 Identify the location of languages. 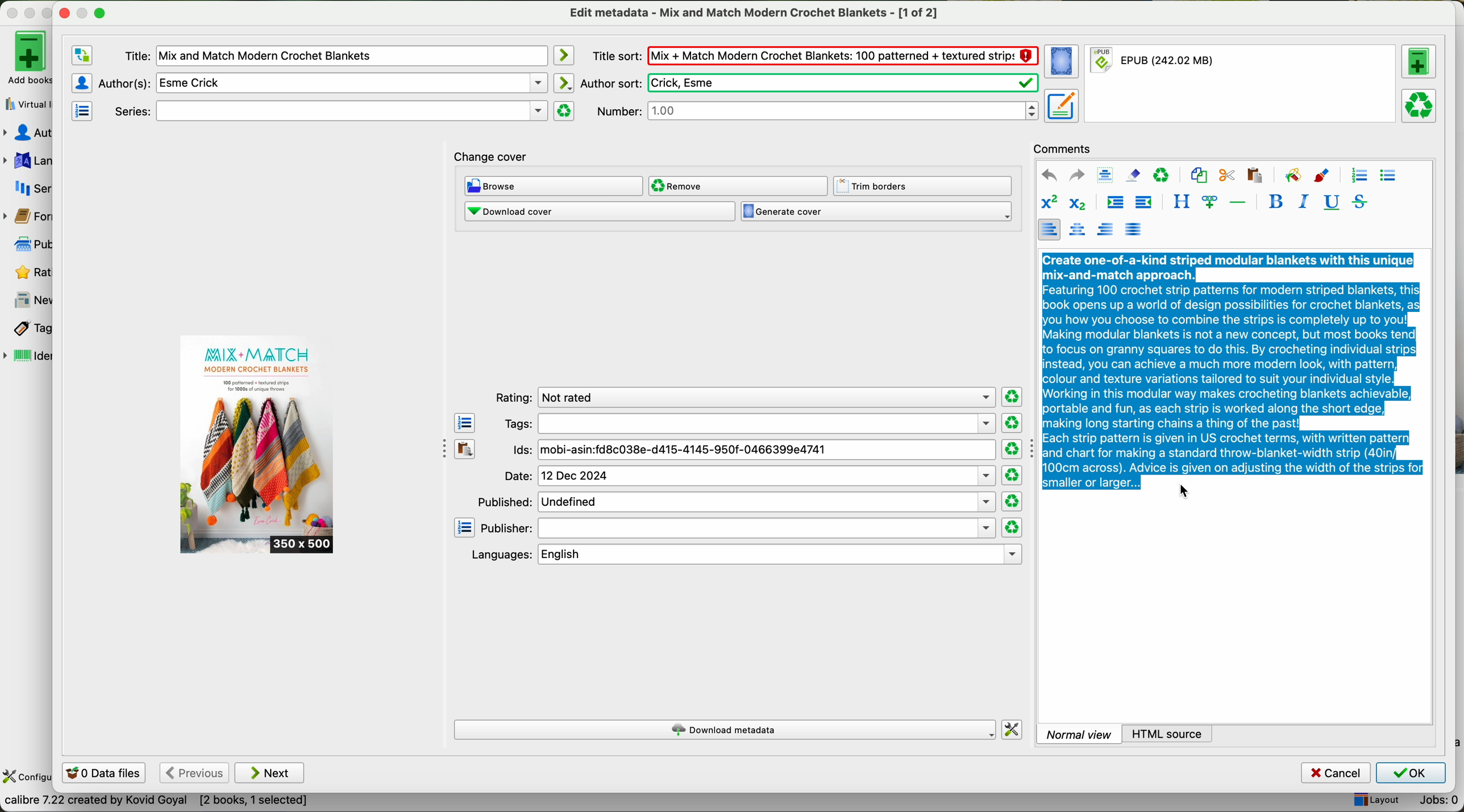
(744, 555).